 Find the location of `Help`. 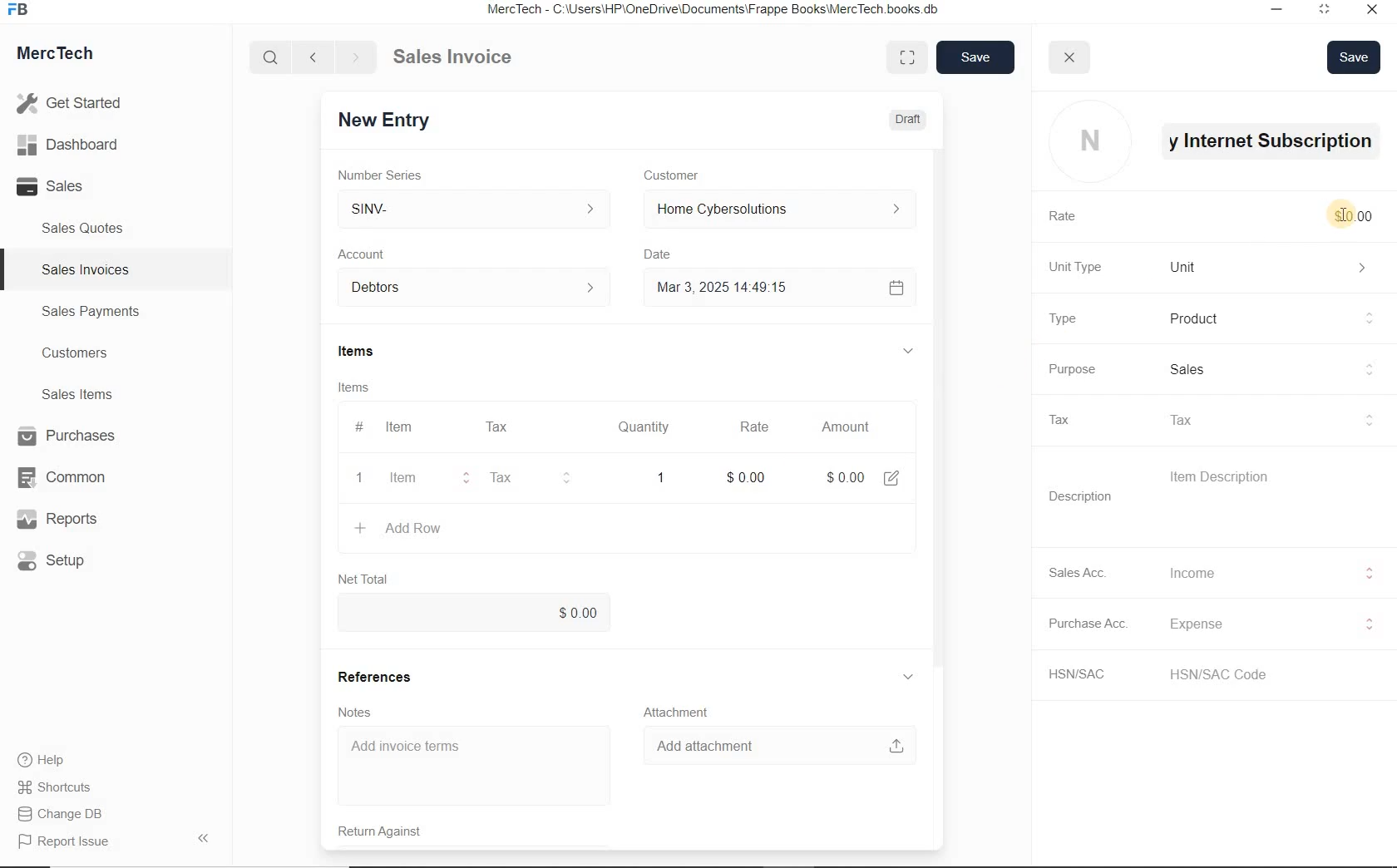

Help is located at coordinates (50, 760).